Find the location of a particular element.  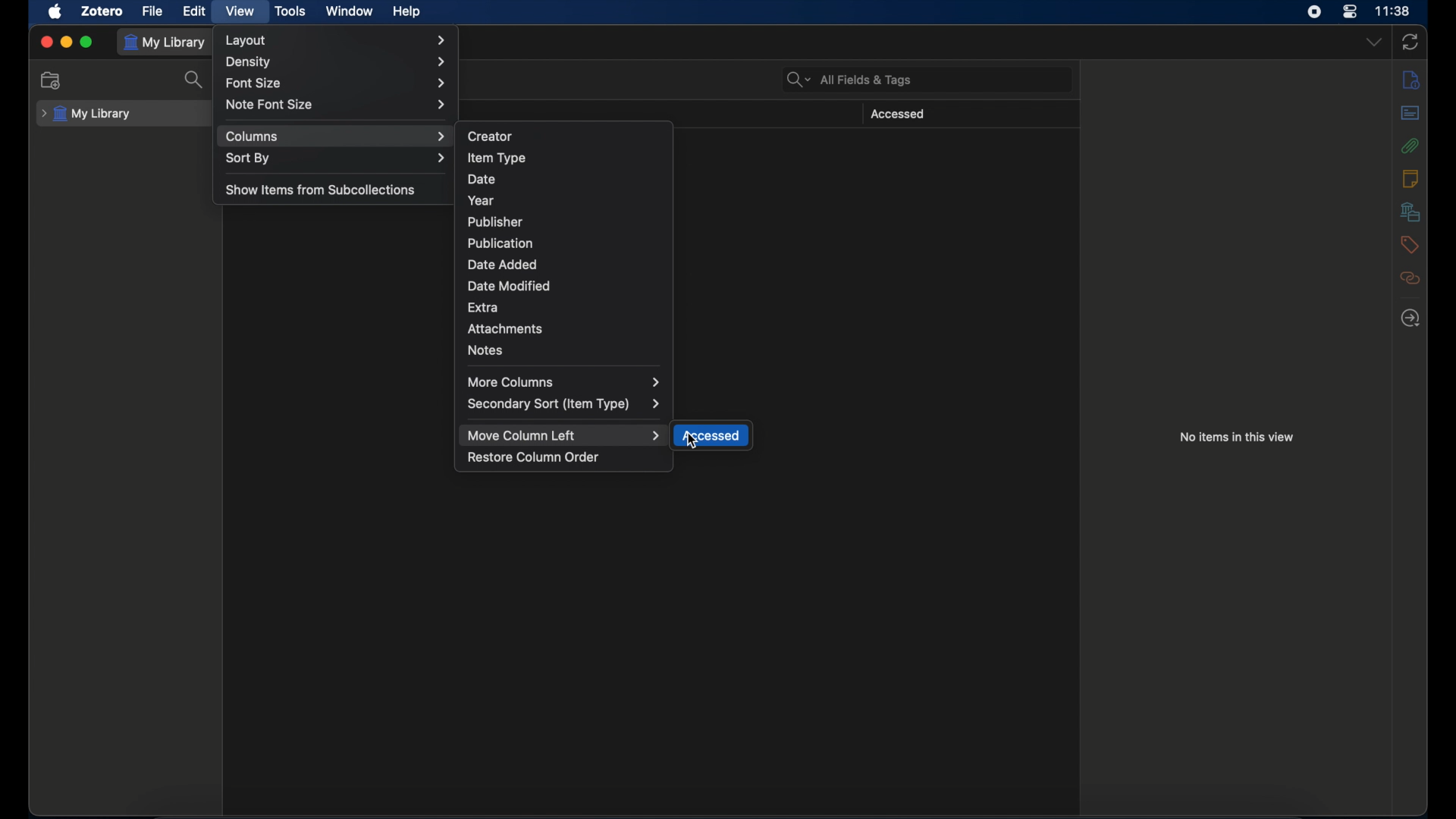

date is located at coordinates (481, 180).